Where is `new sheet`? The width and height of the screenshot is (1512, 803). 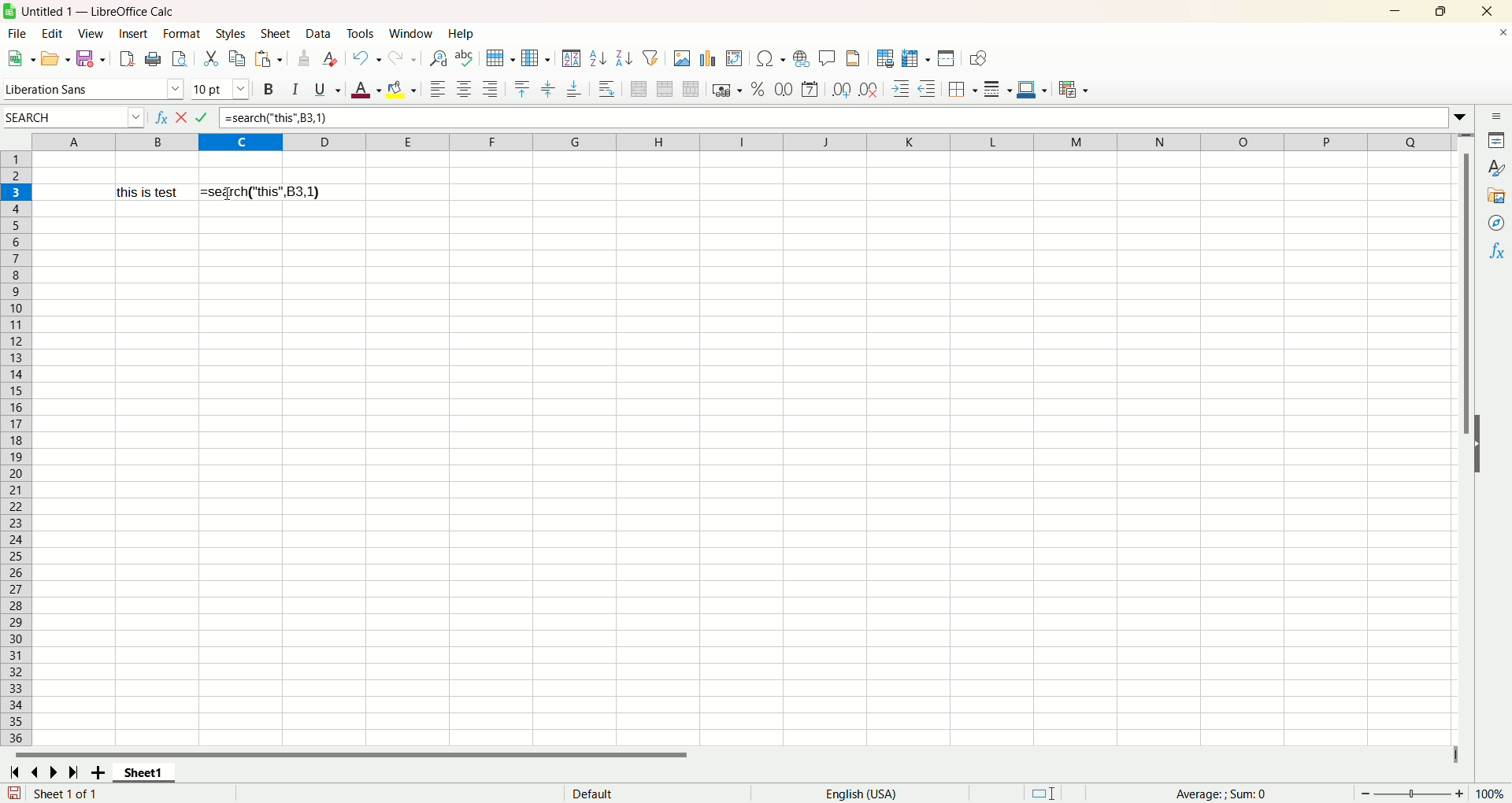
new sheet is located at coordinates (101, 774).